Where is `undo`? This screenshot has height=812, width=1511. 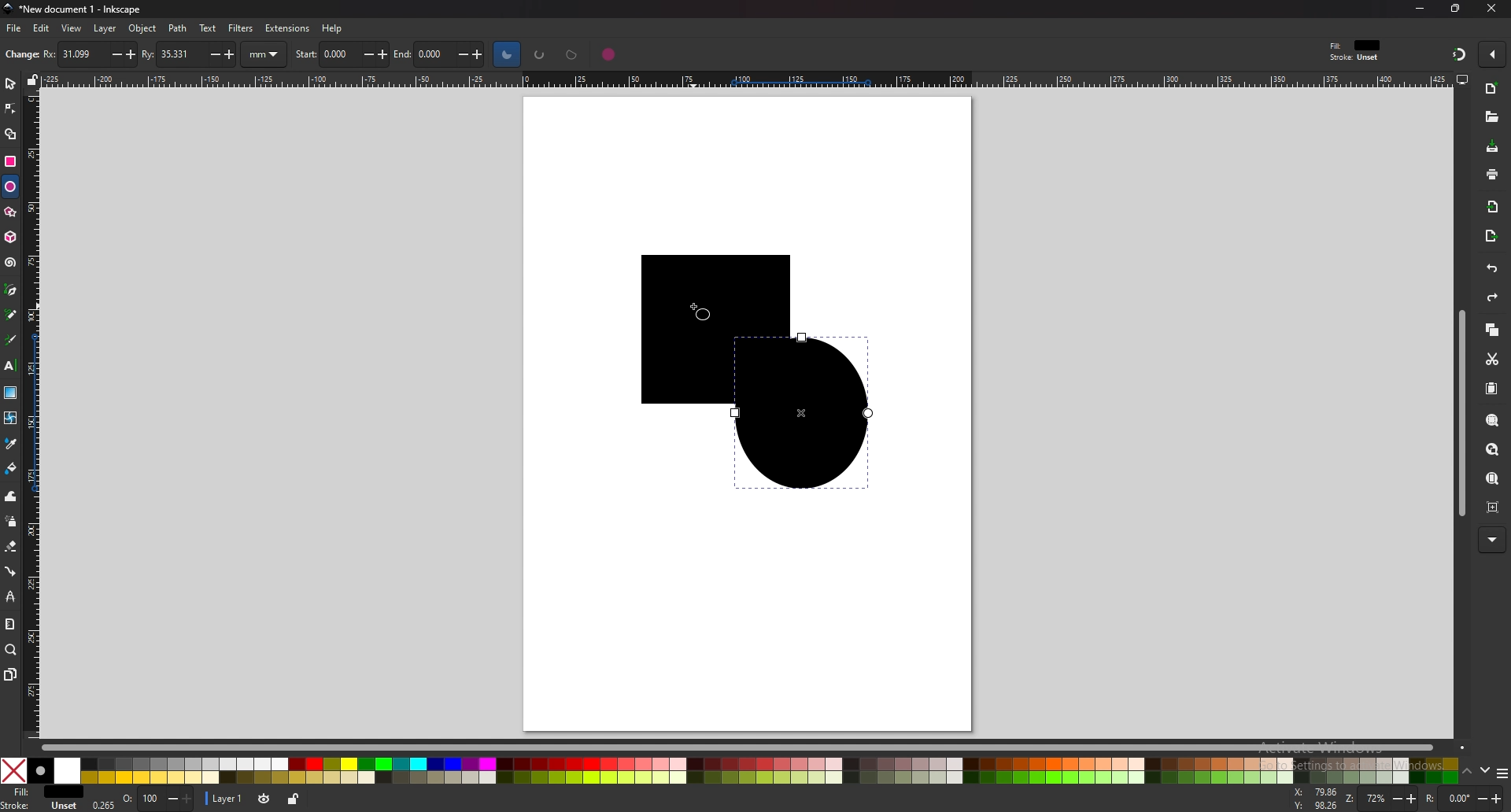 undo is located at coordinates (1491, 269).